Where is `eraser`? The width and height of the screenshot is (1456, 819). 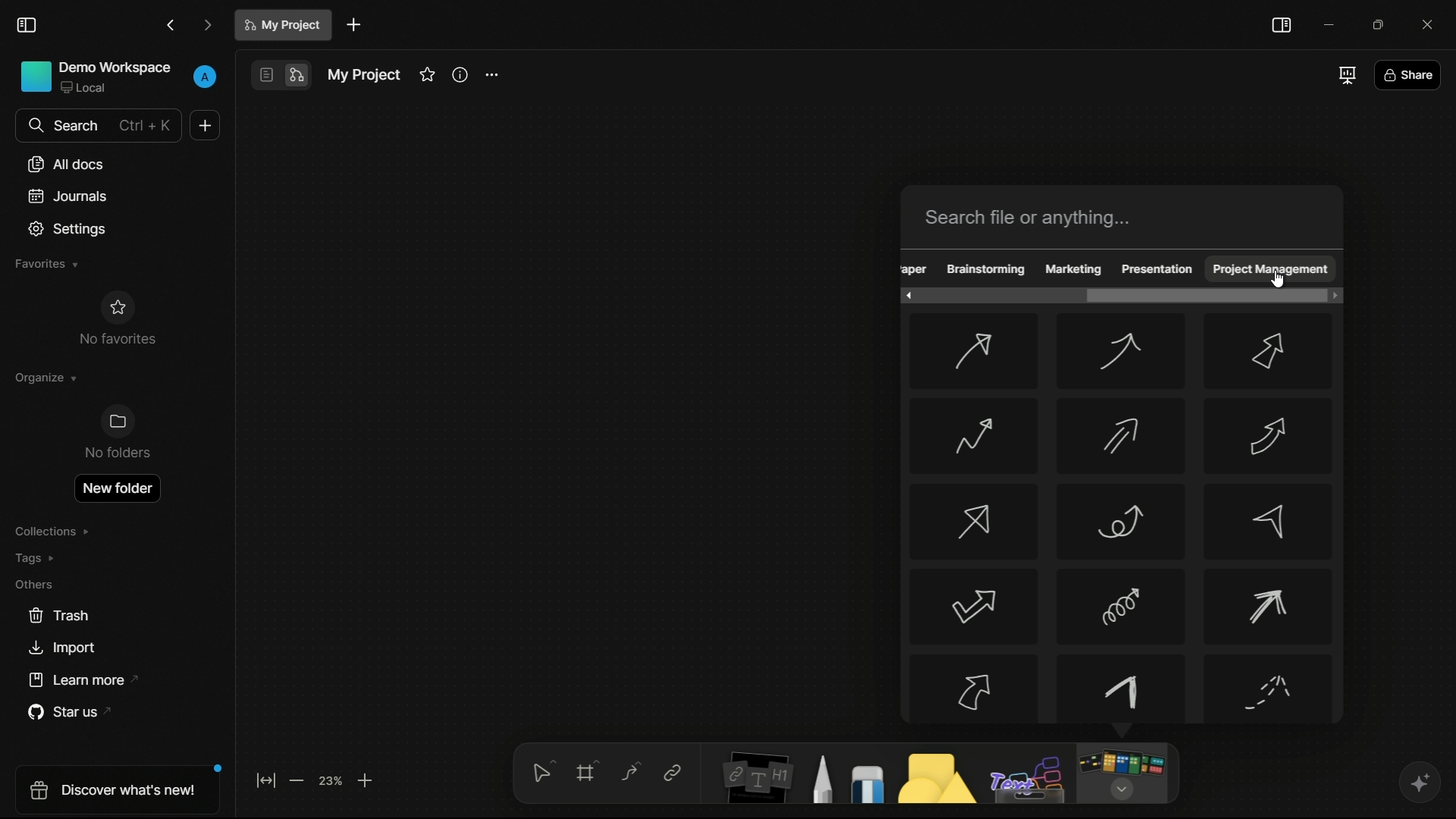 eraser is located at coordinates (868, 783).